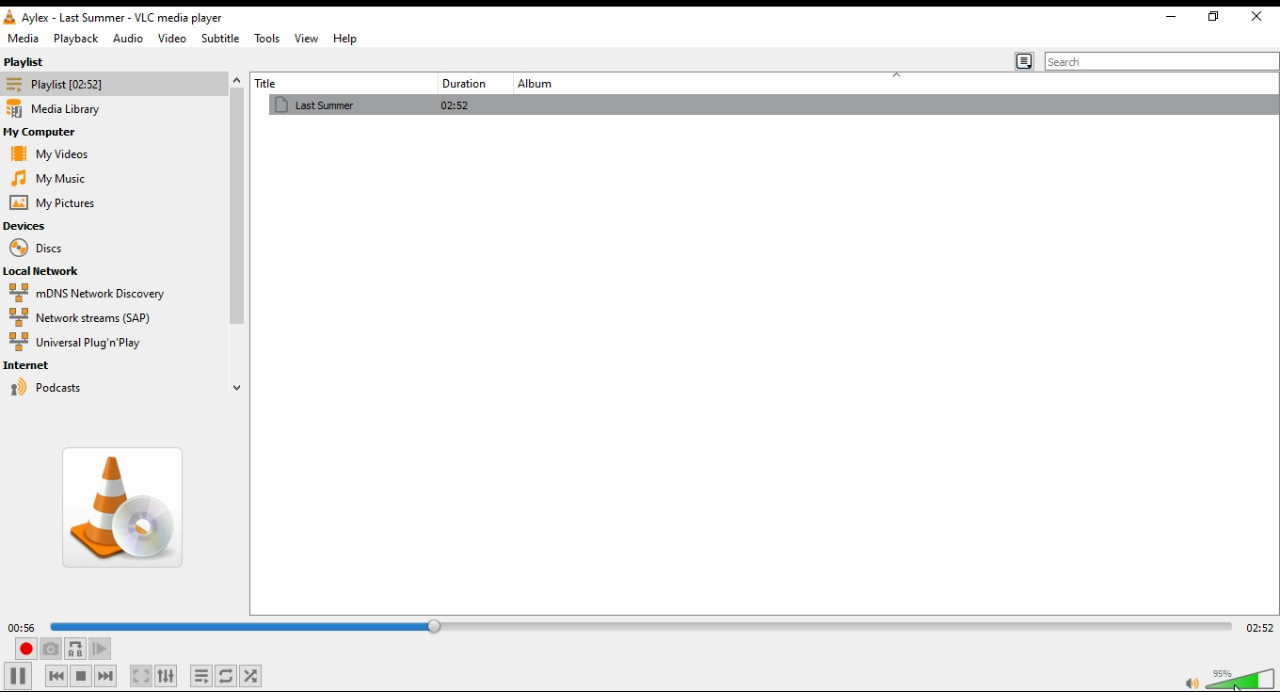 The width and height of the screenshot is (1280, 692). I want to click on media library, so click(60, 109).